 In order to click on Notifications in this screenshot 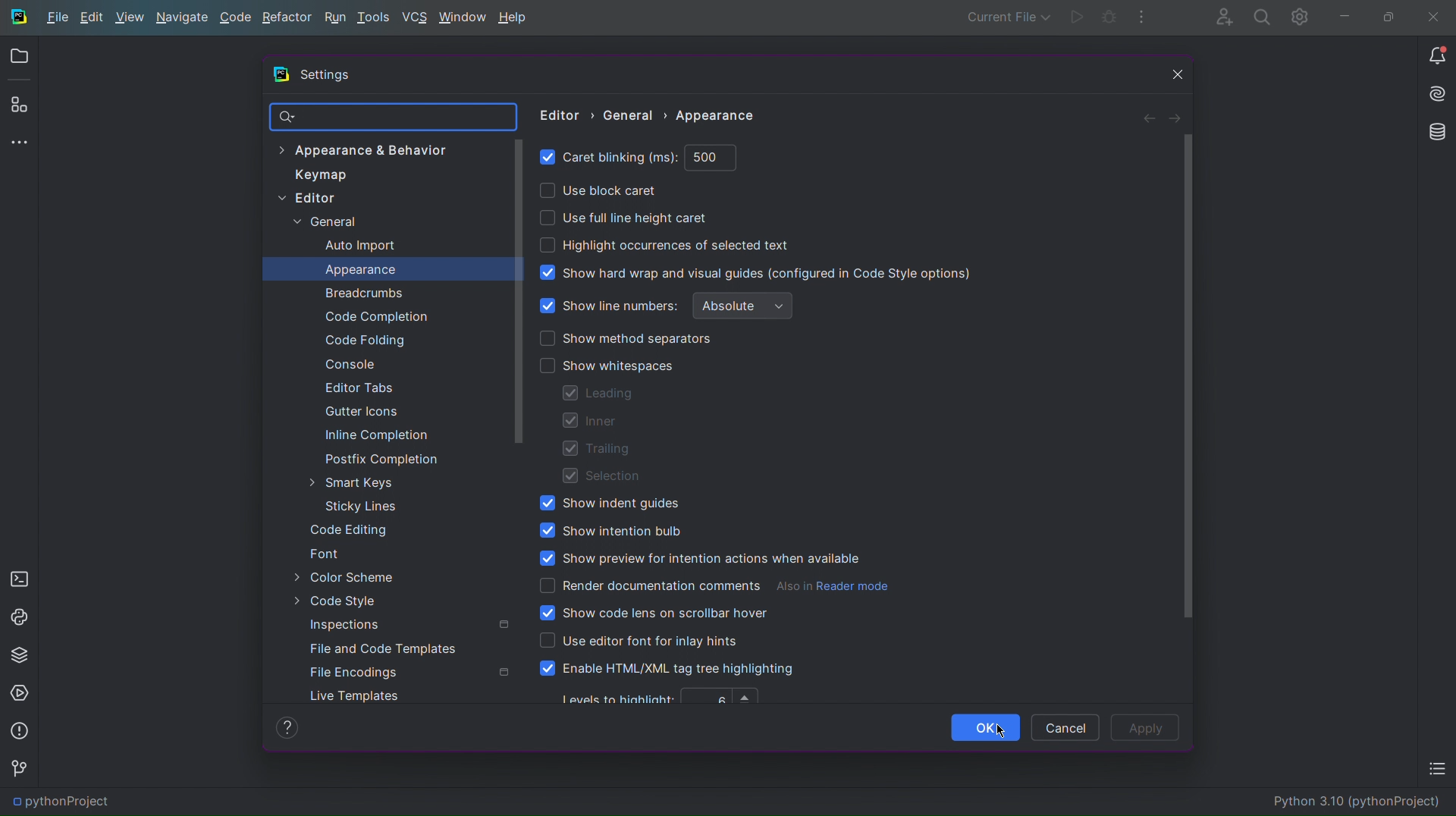, I will do `click(1435, 55)`.